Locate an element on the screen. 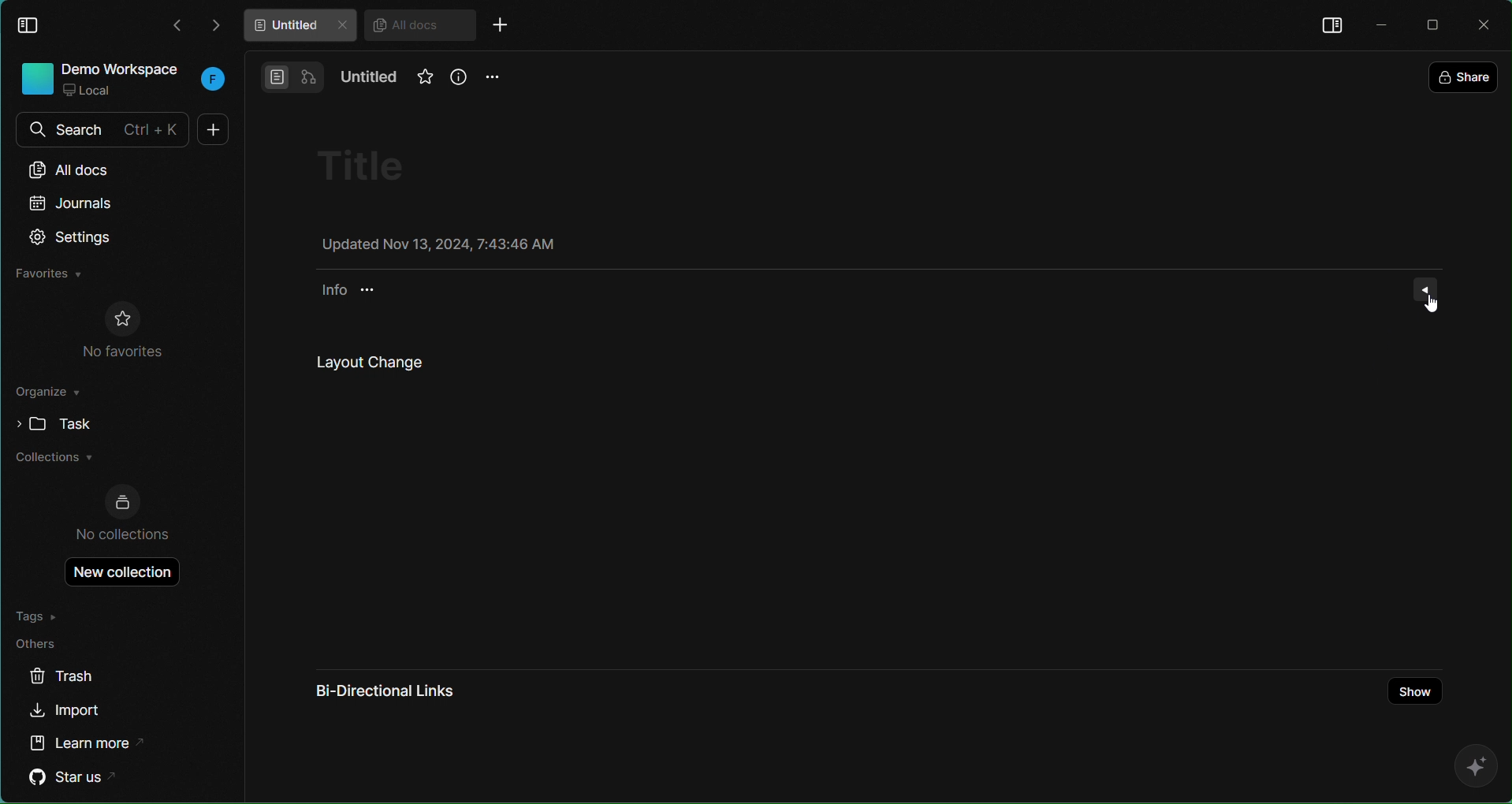 The width and height of the screenshot is (1512, 804). Show is located at coordinates (1417, 694).